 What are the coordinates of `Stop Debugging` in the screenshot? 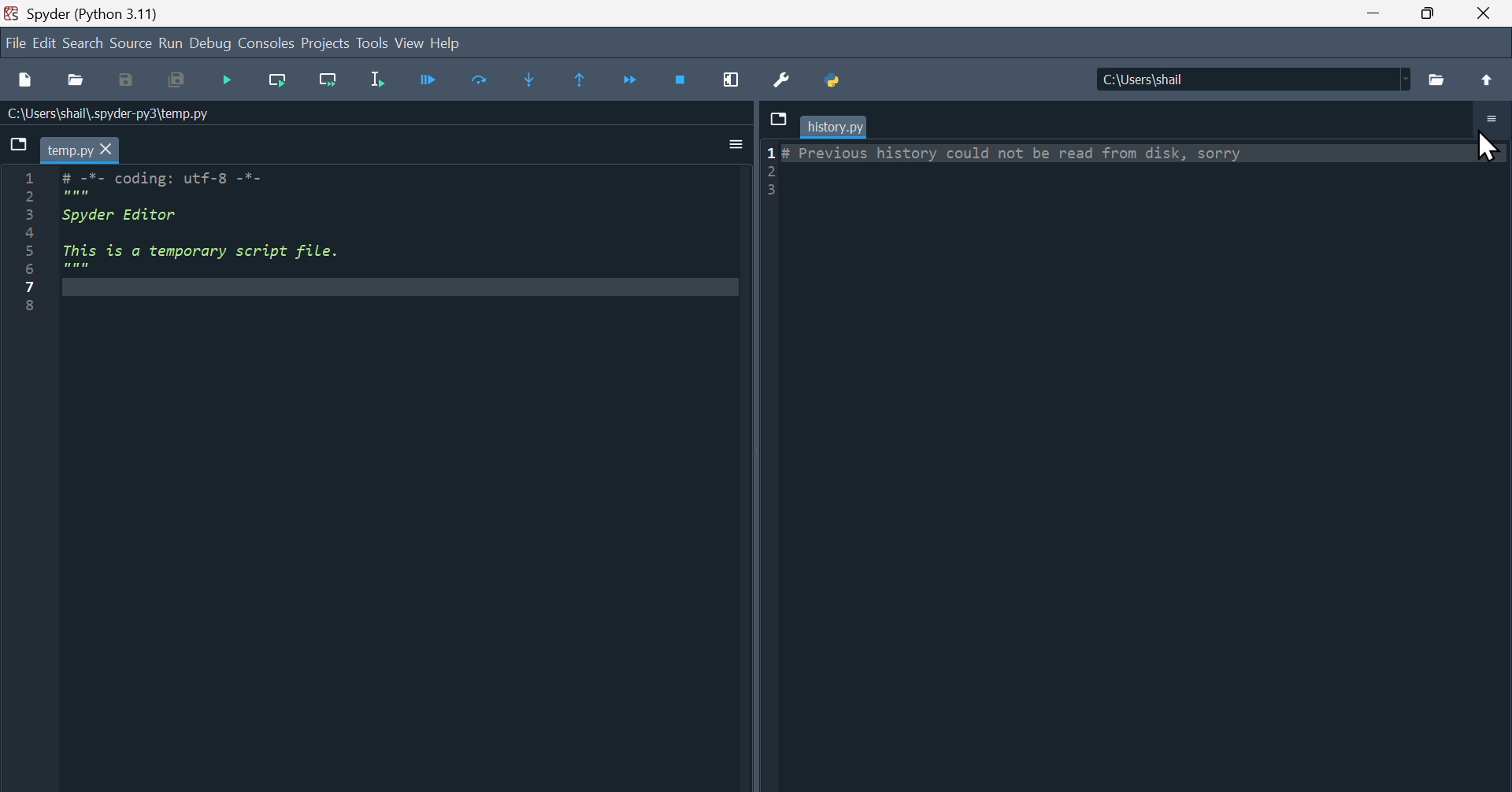 It's located at (684, 79).